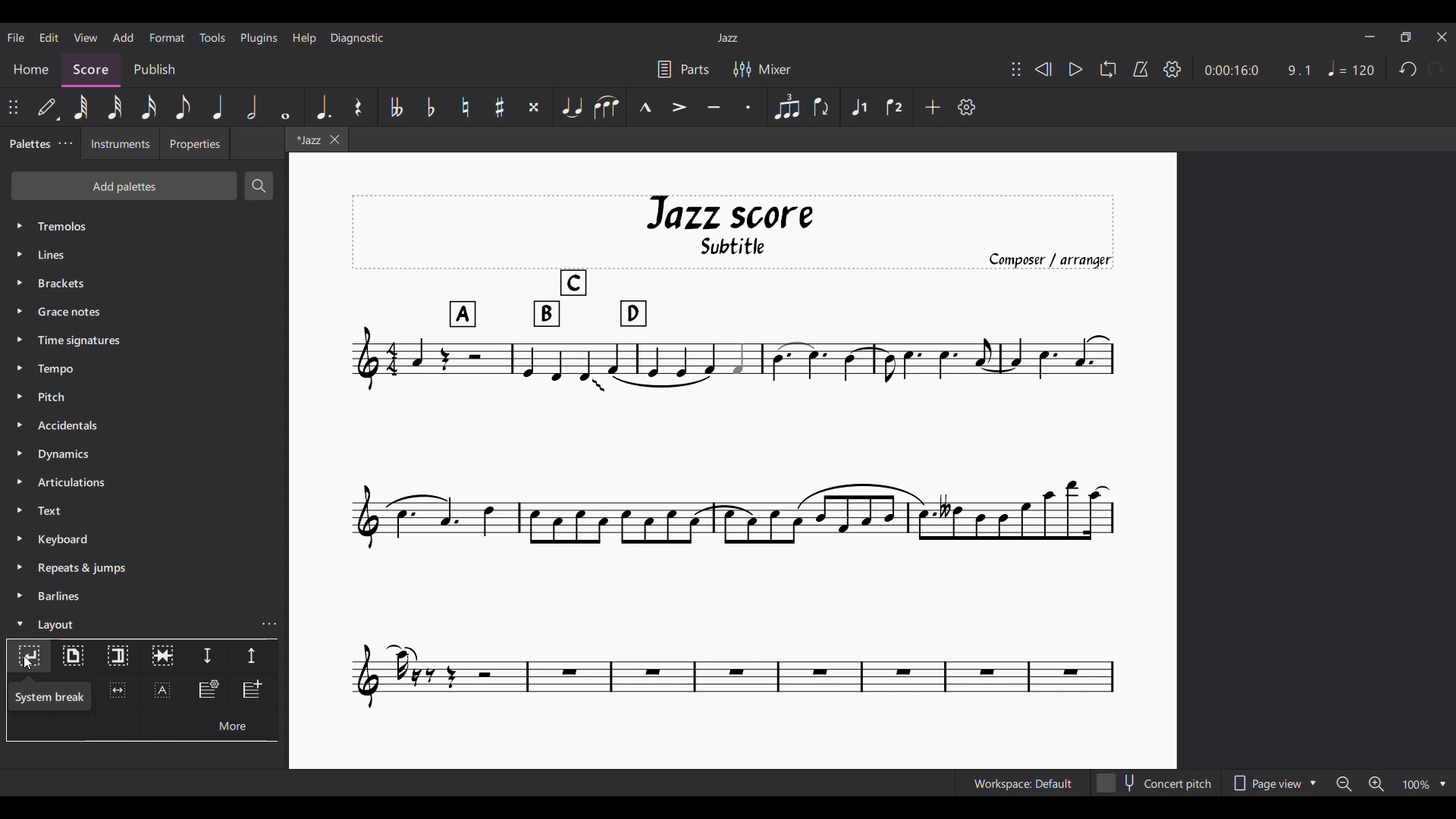 The width and height of the screenshot is (1456, 819). What do you see at coordinates (118, 657) in the screenshot?
I see `Section break` at bounding box center [118, 657].